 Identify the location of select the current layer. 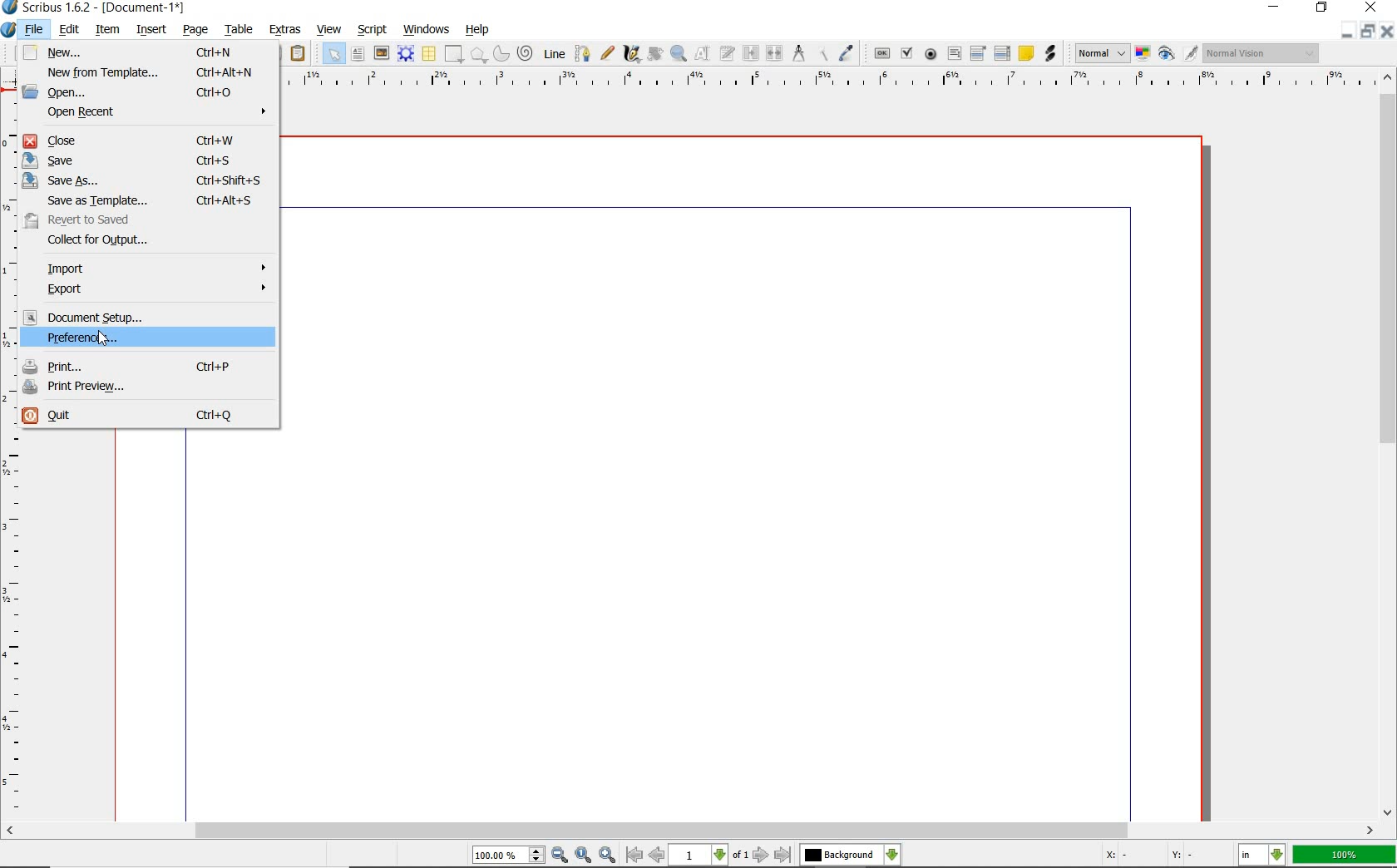
(850, 855).